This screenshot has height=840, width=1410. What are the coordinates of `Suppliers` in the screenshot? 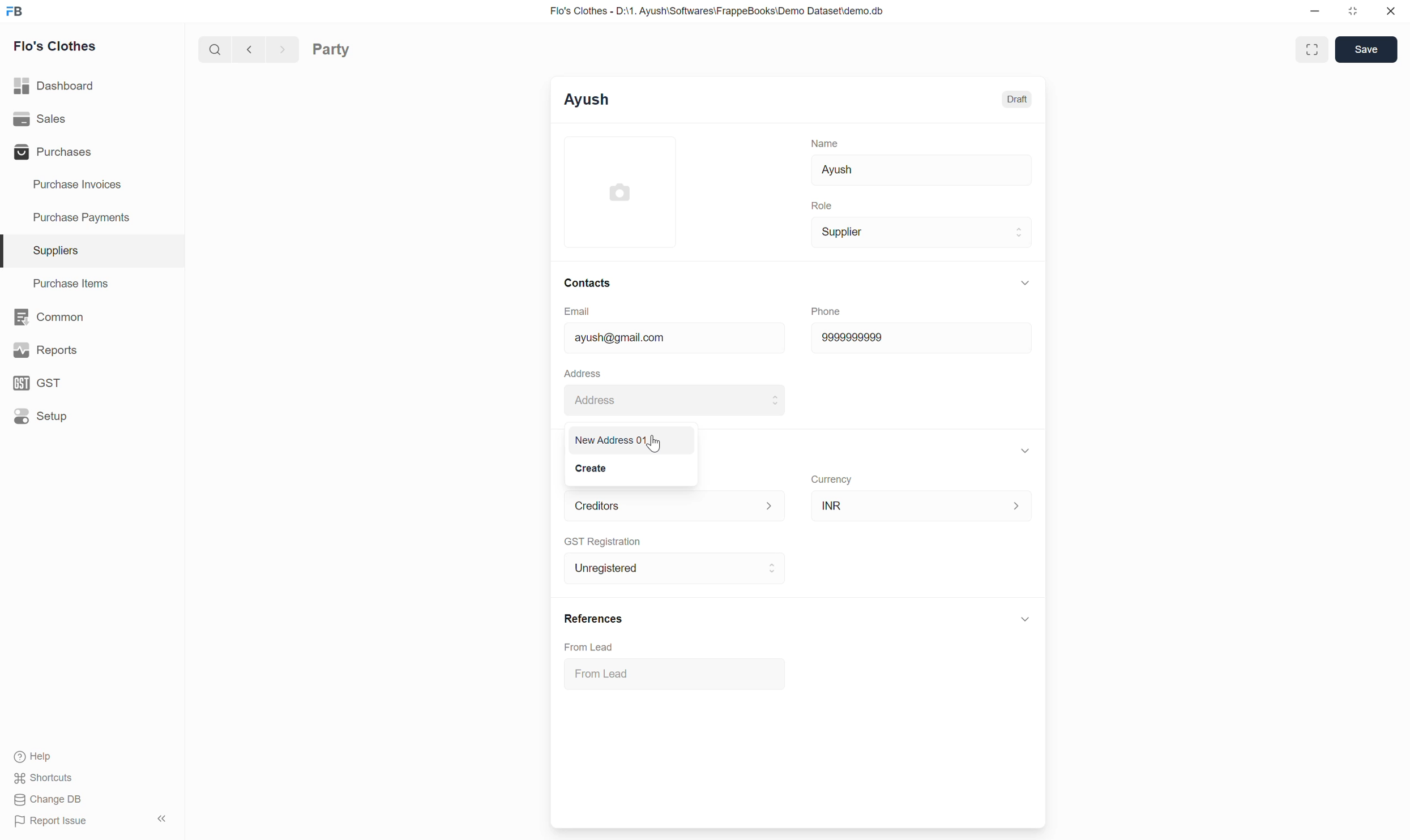 It's located at (92, 251).